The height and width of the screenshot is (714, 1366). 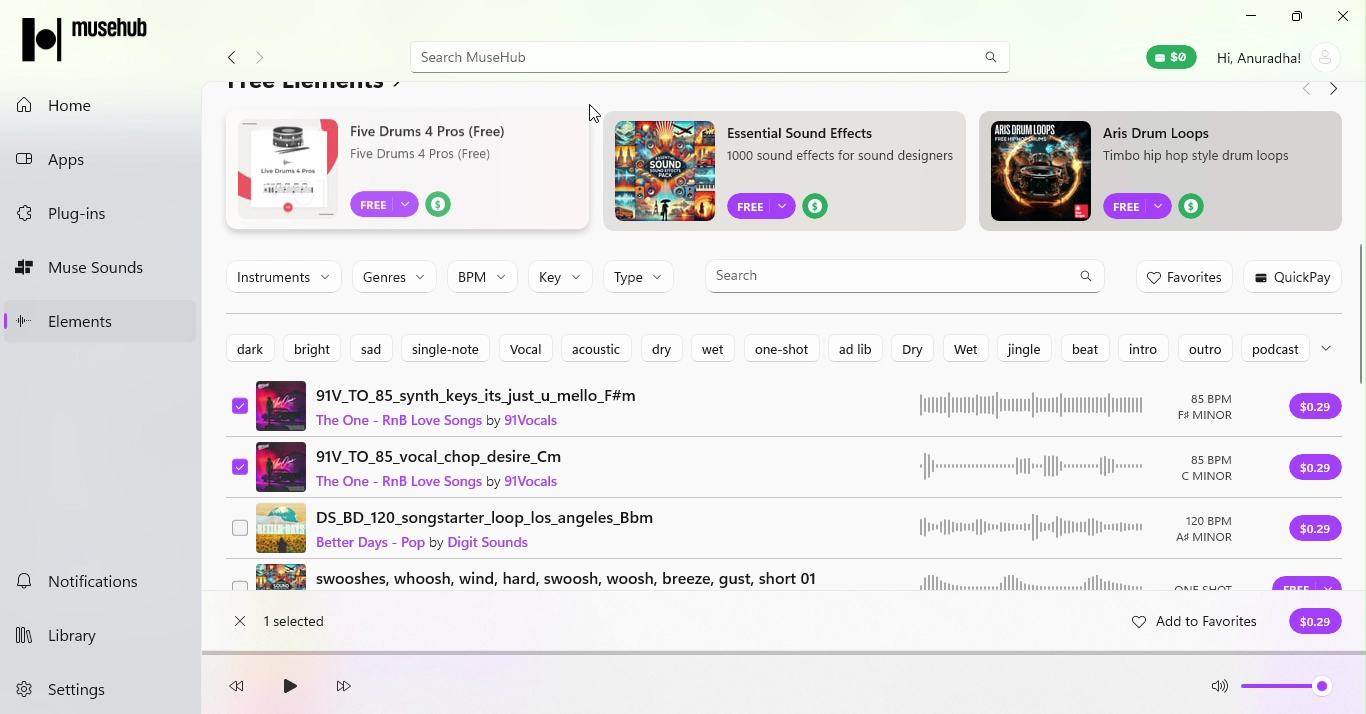 What do you see at coordinates (105, 215) in the screenshot?
I see `Plug-ins` at bounding box center [105, 215].